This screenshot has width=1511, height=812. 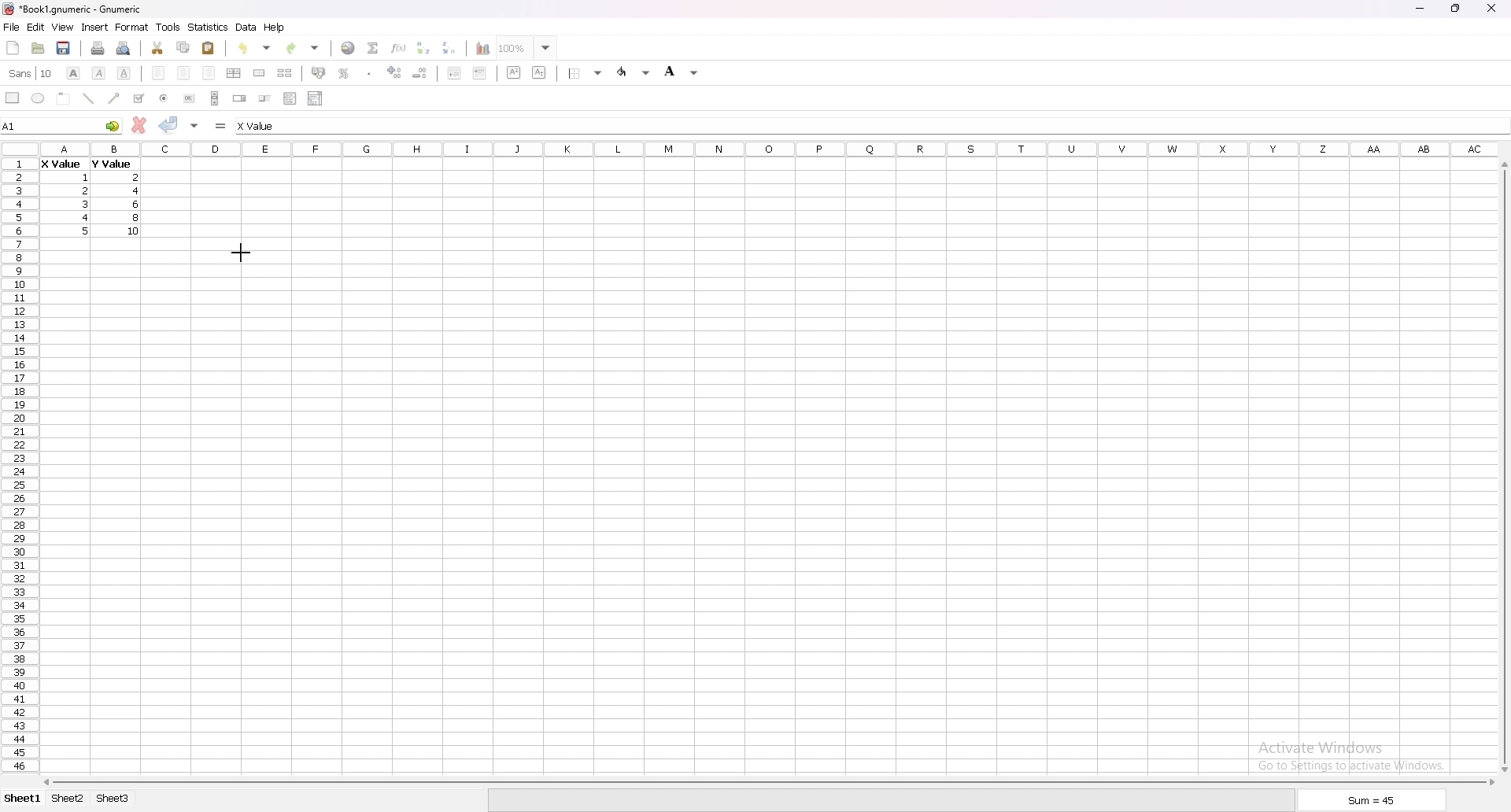 I want to click on superscript, so click(x=515, y=72).